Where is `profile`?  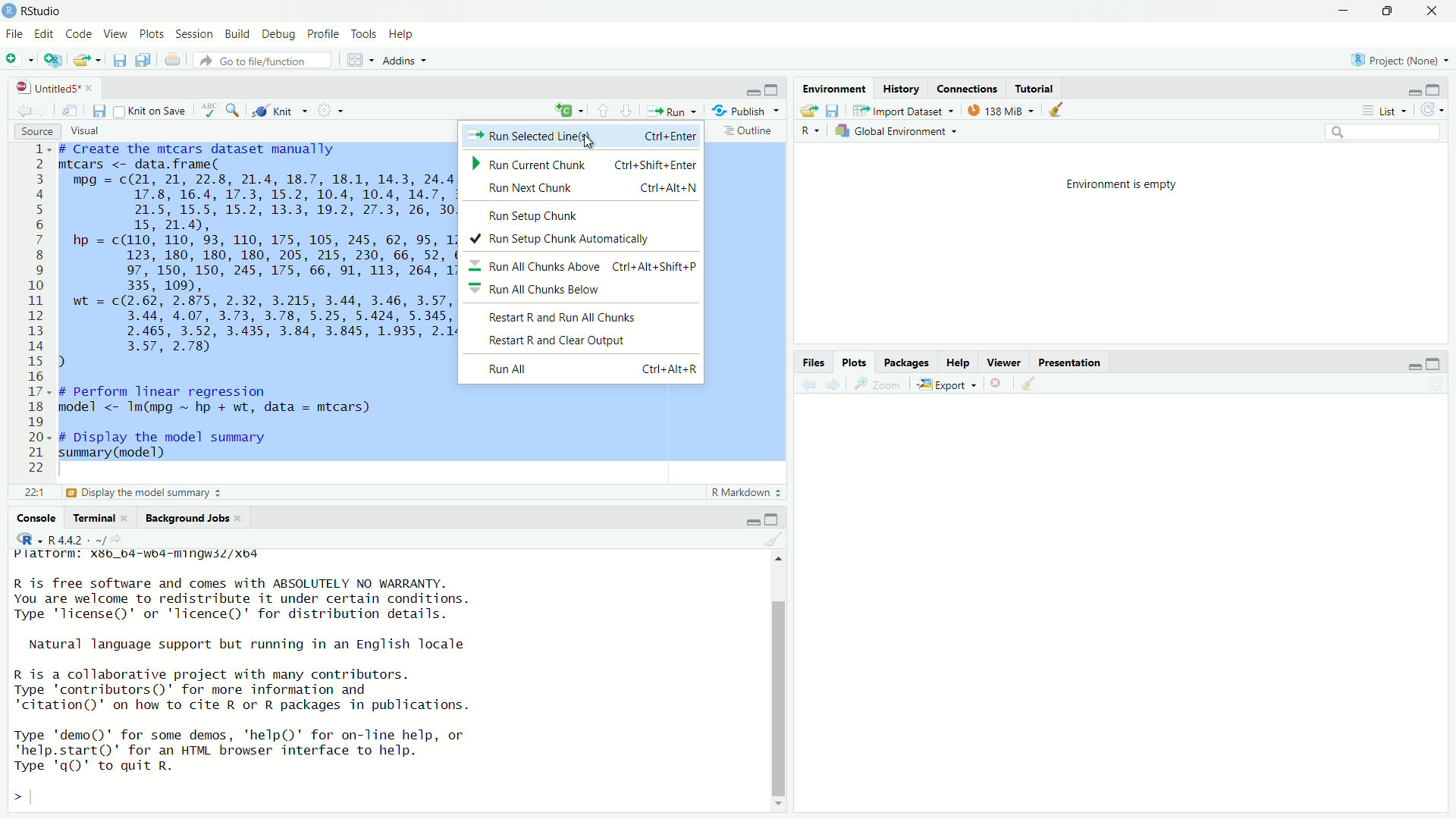 profile is located at coordinates (325, 33).